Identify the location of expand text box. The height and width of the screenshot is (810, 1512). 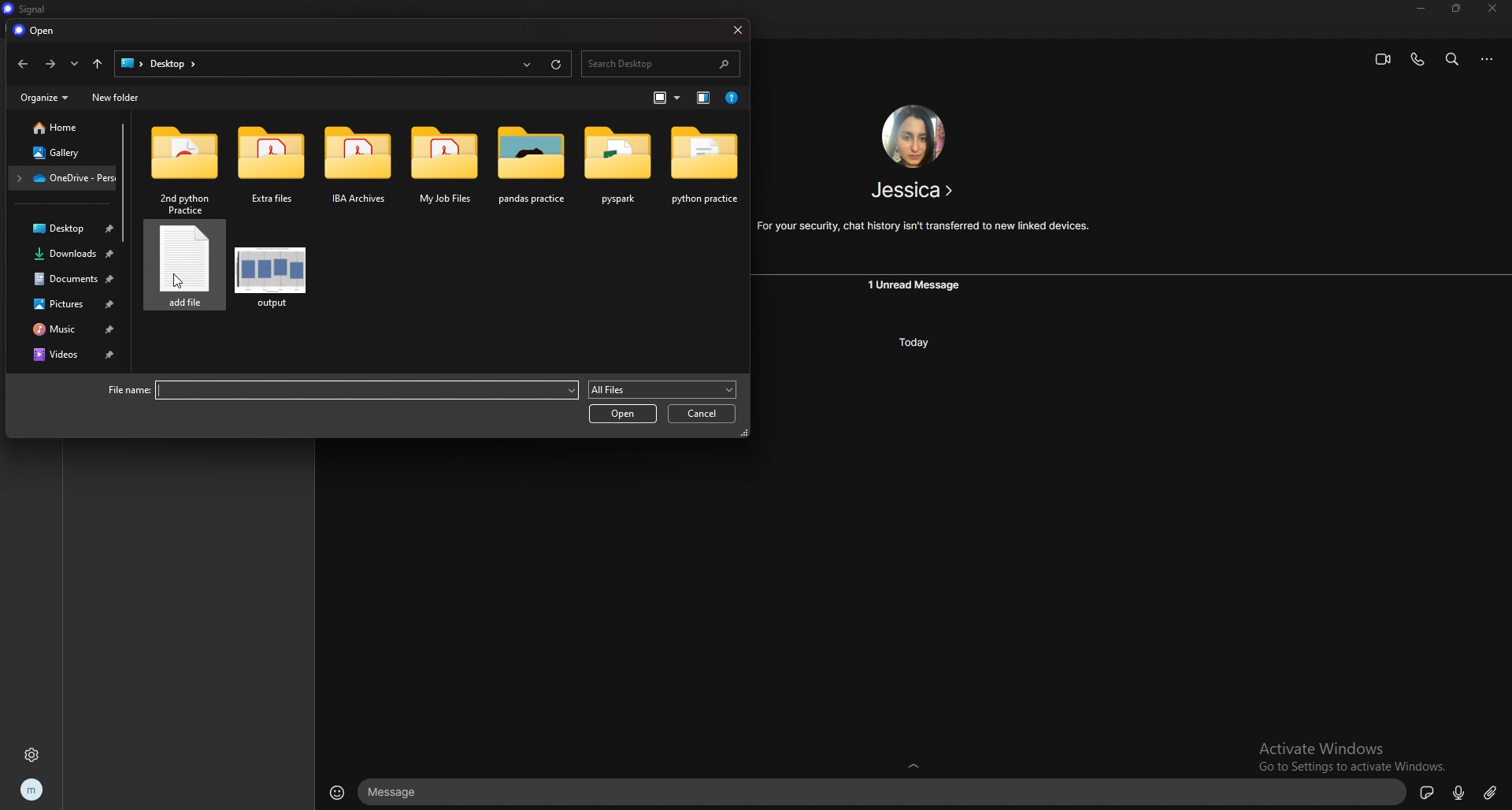
(917, 764).